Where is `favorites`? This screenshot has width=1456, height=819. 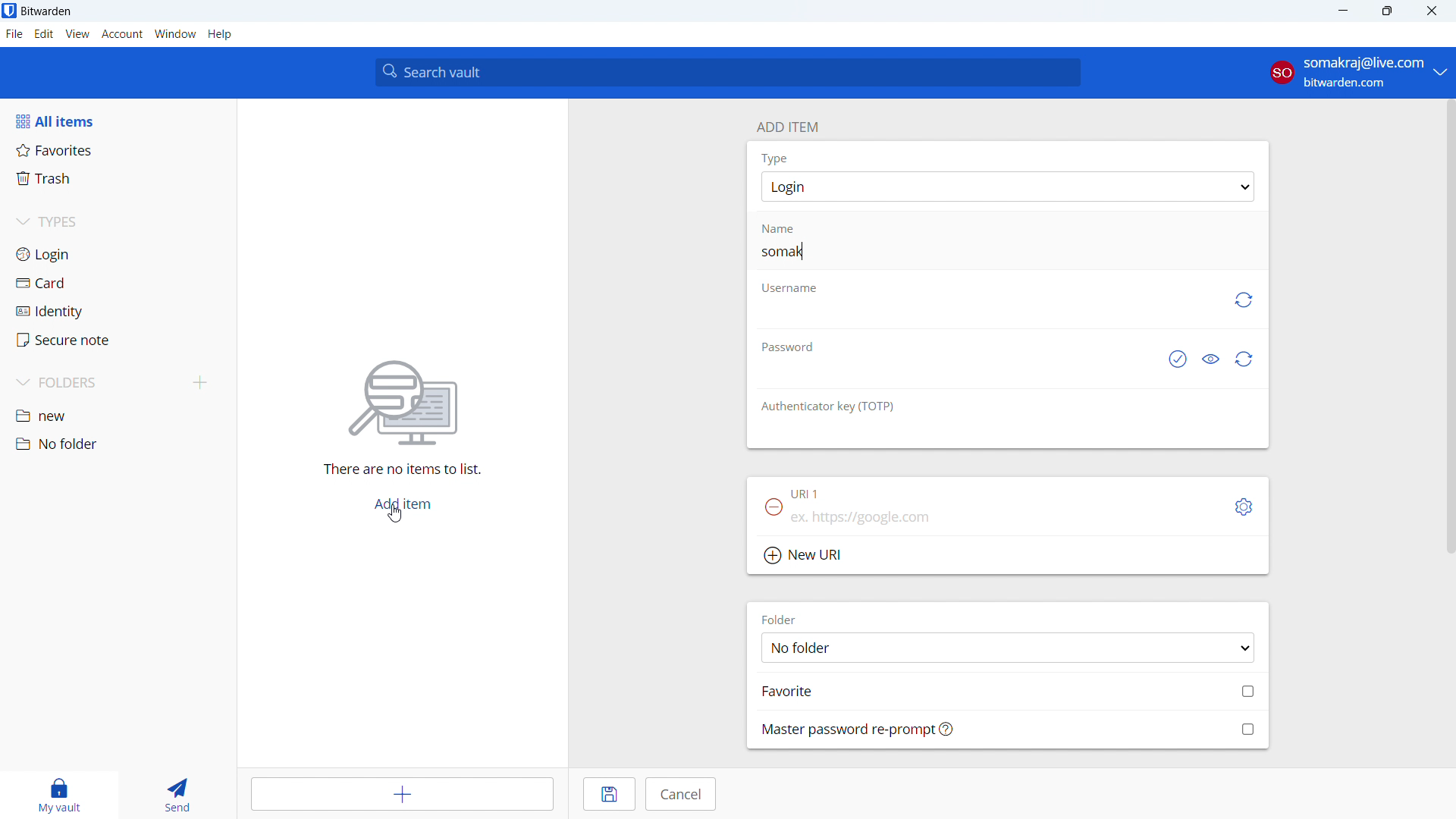
favorites is located at coordinates (118, 149).